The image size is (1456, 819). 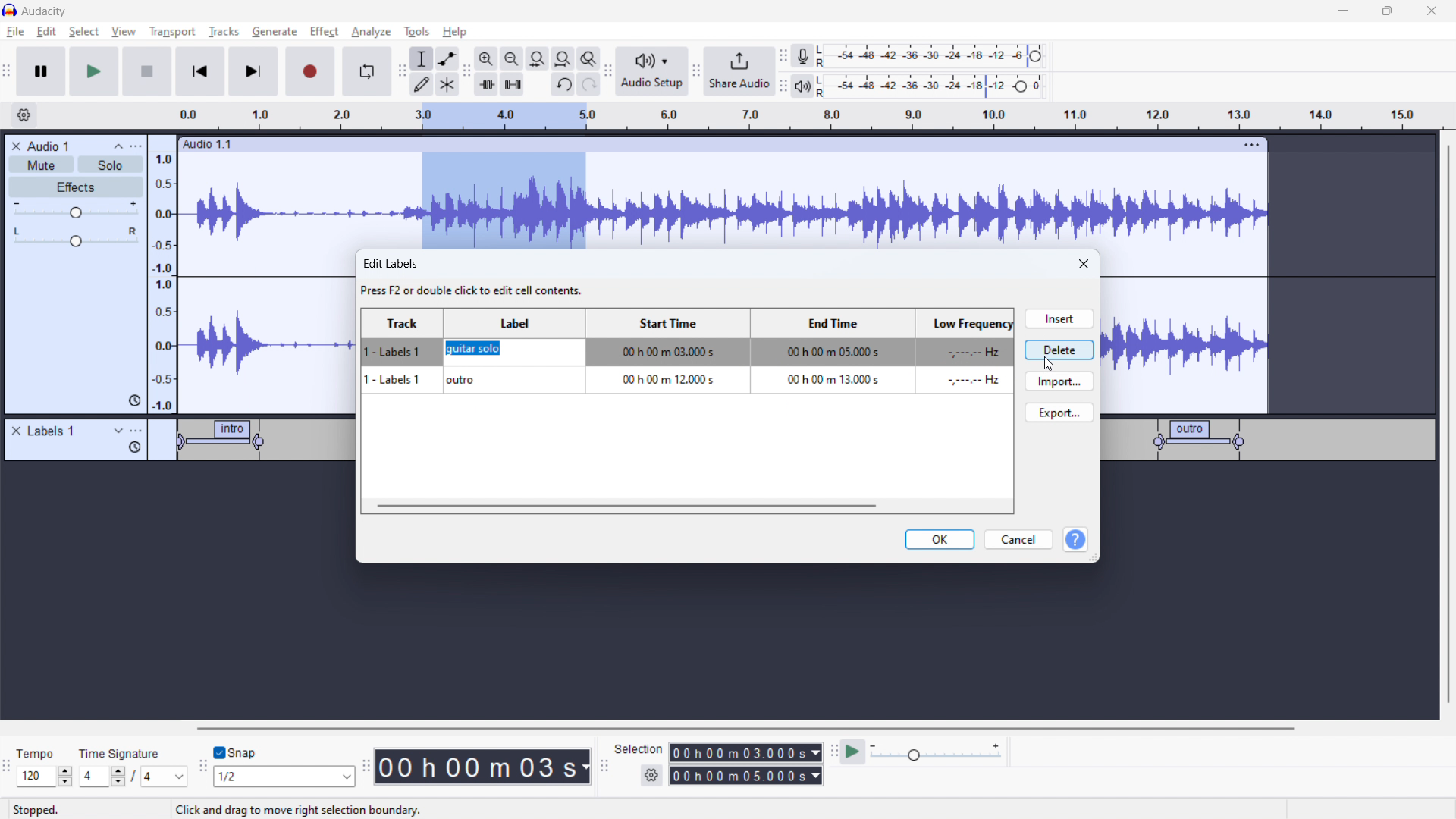 What do you see at coordinates (457, 32) in the screenshot?
I see `help` at bounding box center [457, 32].